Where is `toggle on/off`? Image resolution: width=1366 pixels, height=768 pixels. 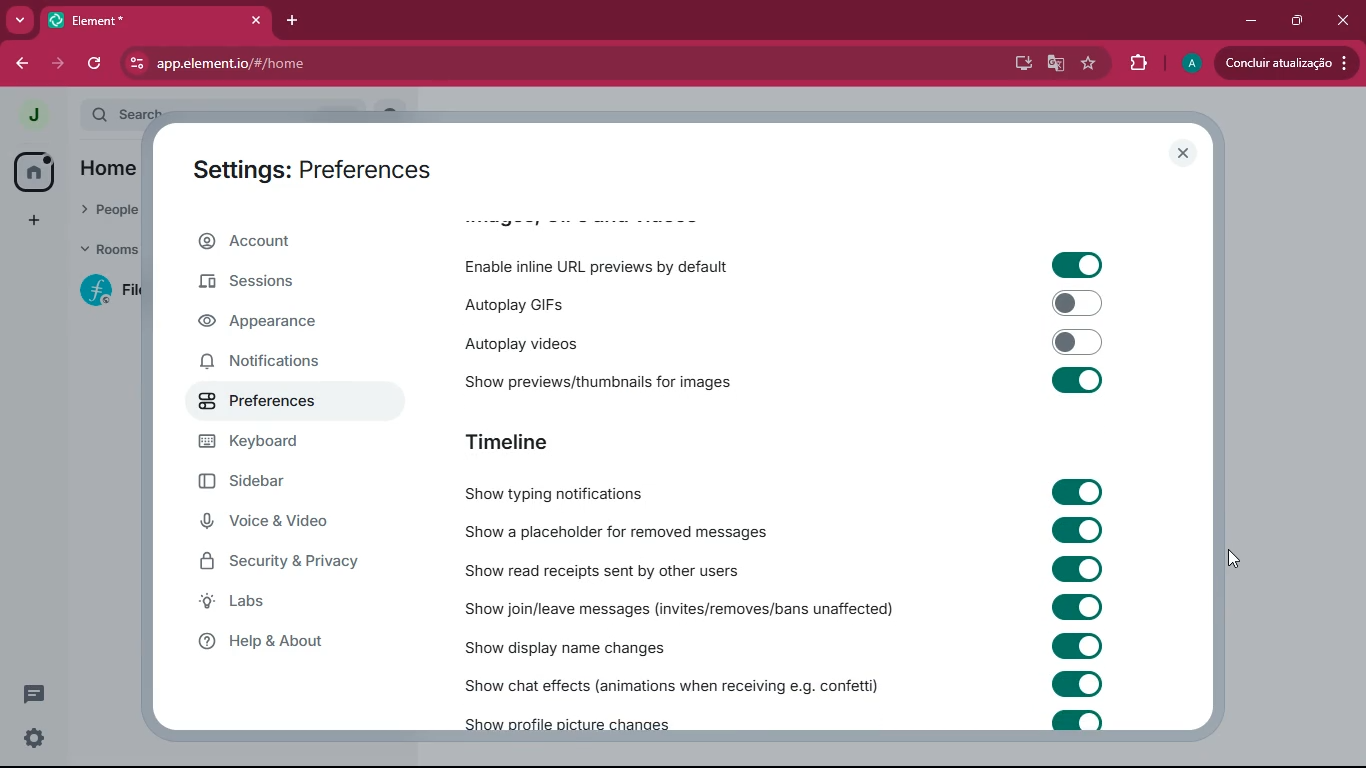
toggle on/off is located at coordinates (1079, 684).